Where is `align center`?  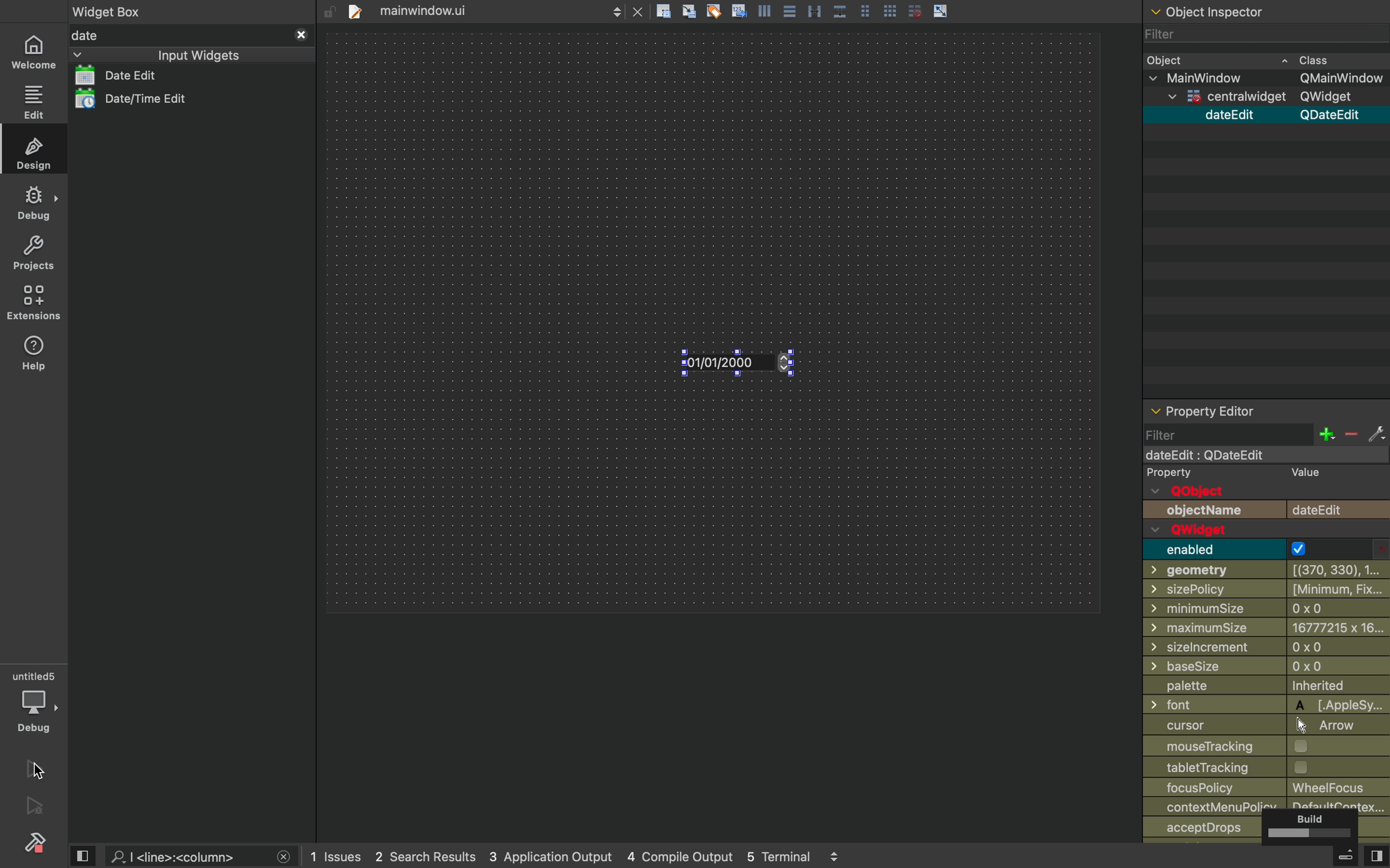
align center is located at coordinates (789, 10).